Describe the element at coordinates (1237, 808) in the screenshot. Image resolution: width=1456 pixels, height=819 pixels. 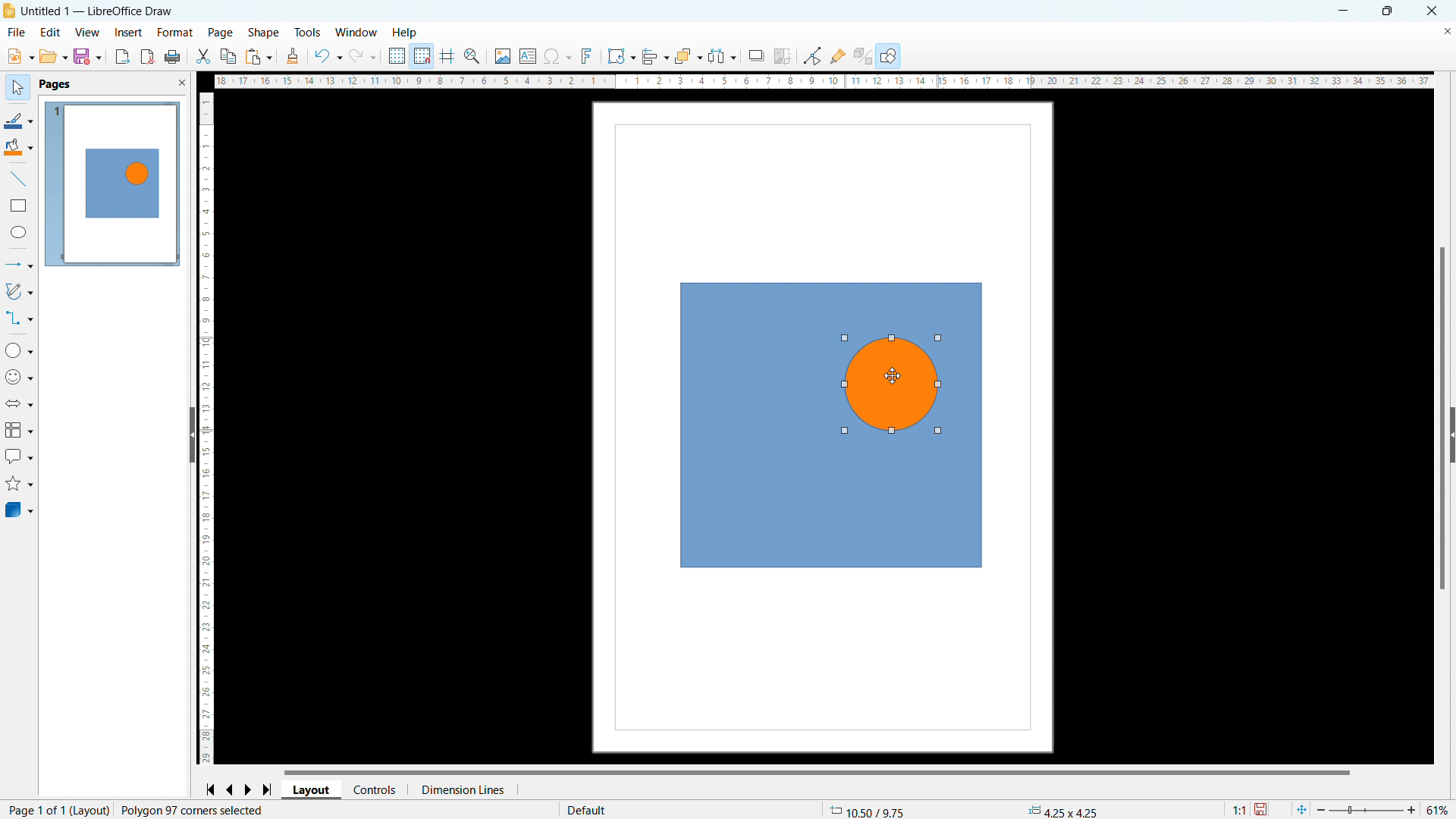
I see `1:1` at that location.